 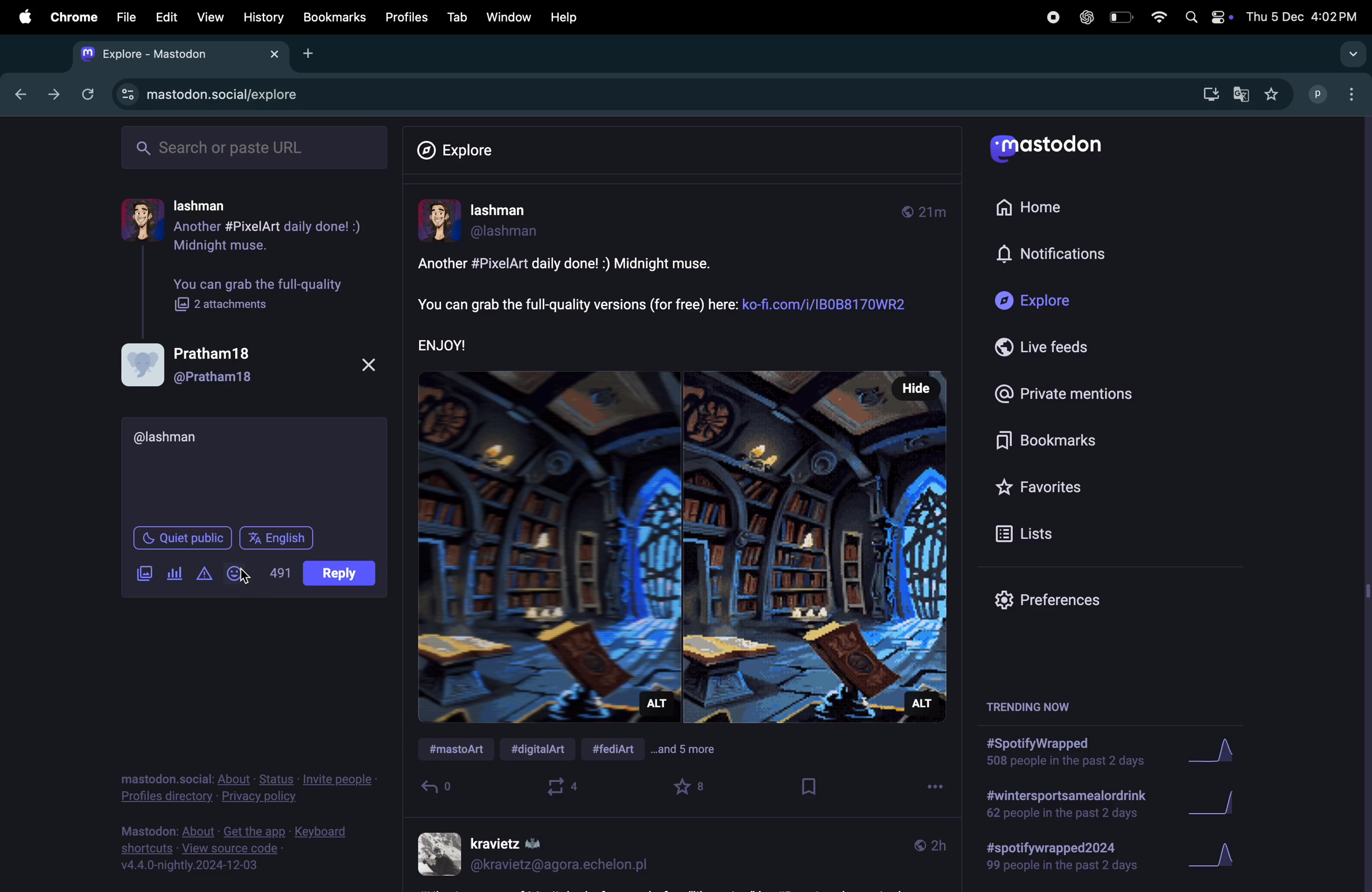 What do you see at coordinates (1053, 146) in the screenshot?
I see `Mastodon` at bounding box center [1053, 146].